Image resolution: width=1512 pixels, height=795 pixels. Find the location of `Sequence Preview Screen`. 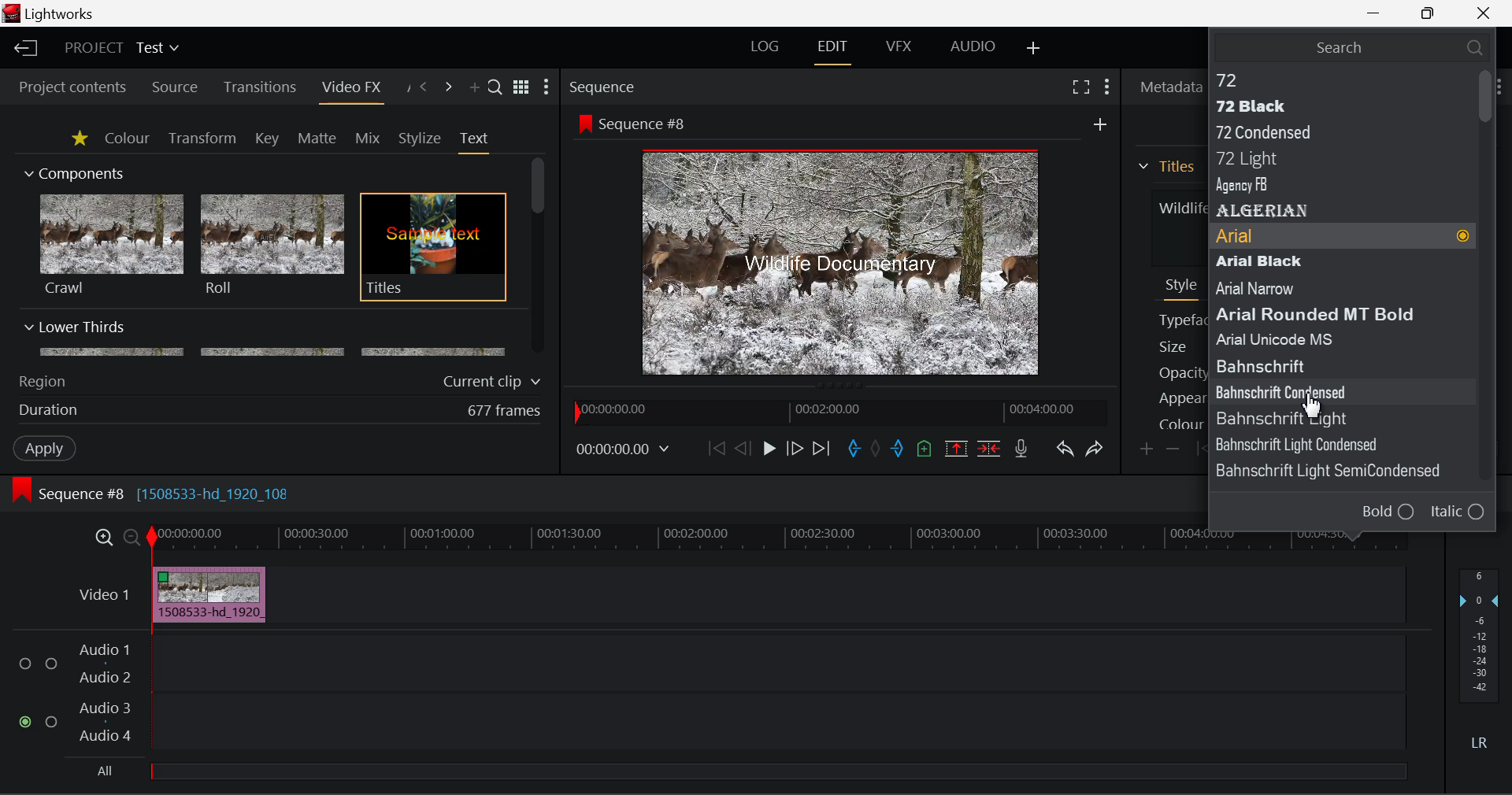

Sequence Preview Screen is located at coordinates (845, 264).